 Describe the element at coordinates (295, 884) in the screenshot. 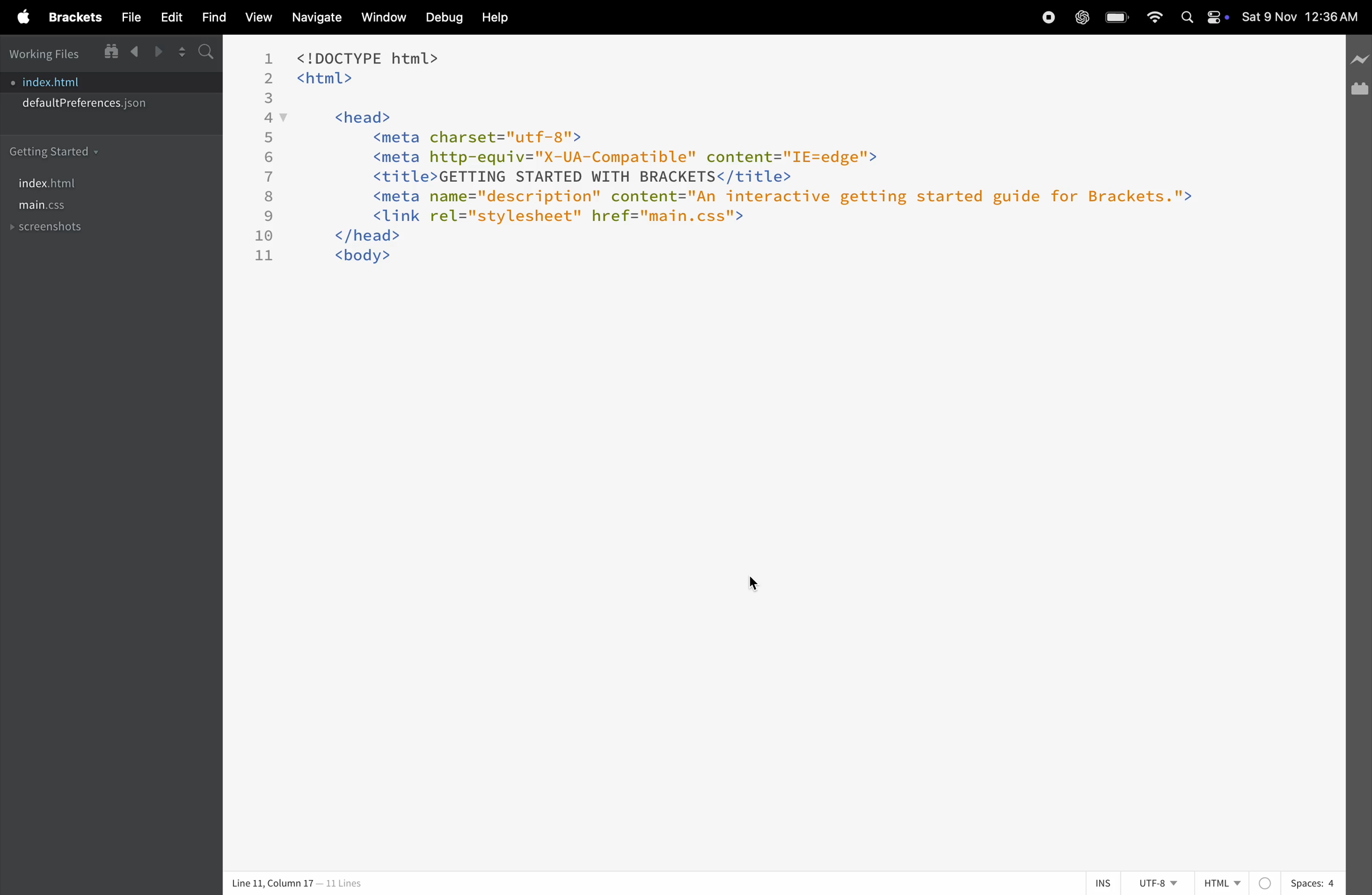

I see `coloumn and lines` at that location.